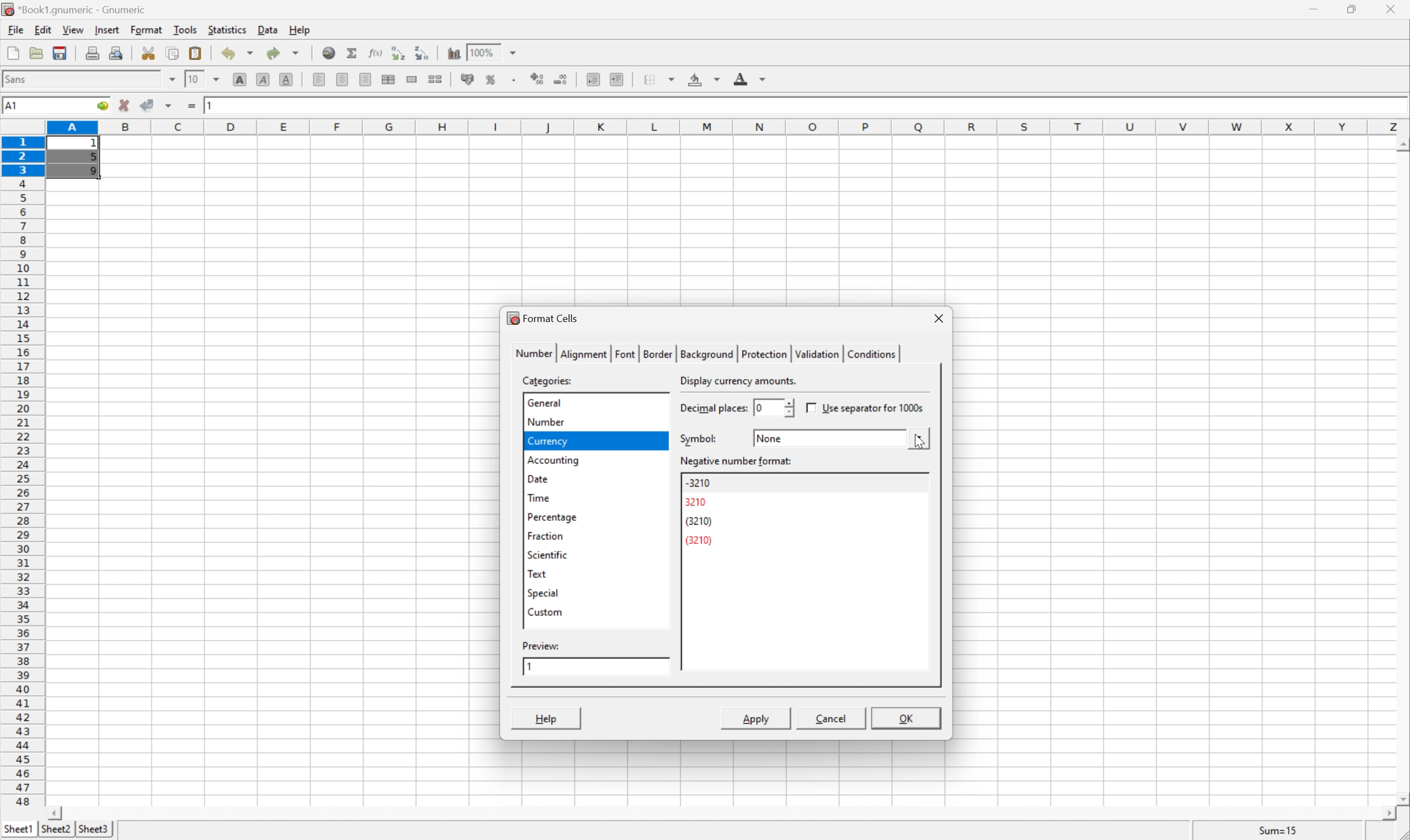  Describe the element at coordinates (377, 52) in the screenshot. I see `edit function in current cell` at that location.